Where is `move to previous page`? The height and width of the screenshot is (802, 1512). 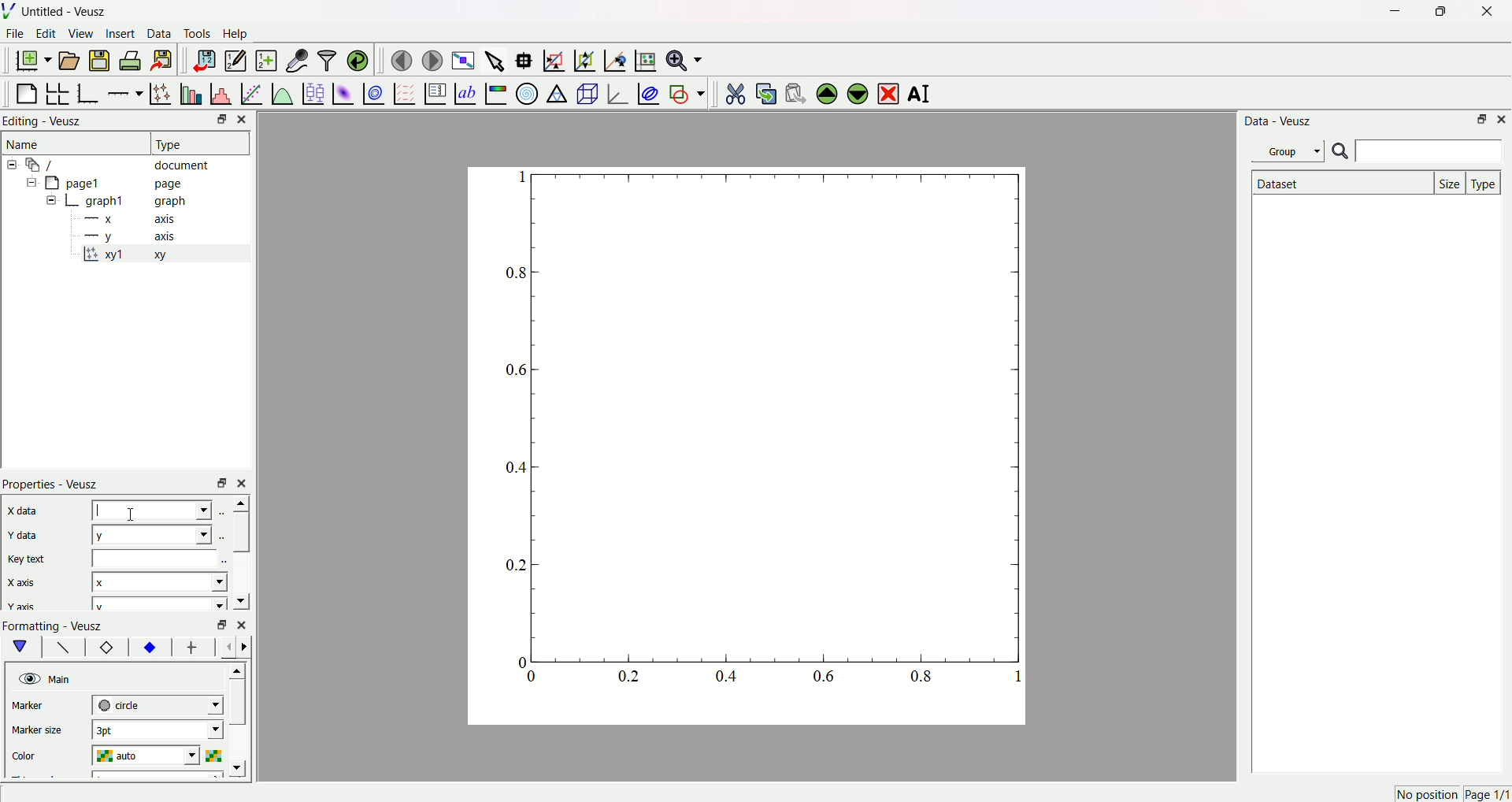 move to previous page is located at coordinates (401, 60).